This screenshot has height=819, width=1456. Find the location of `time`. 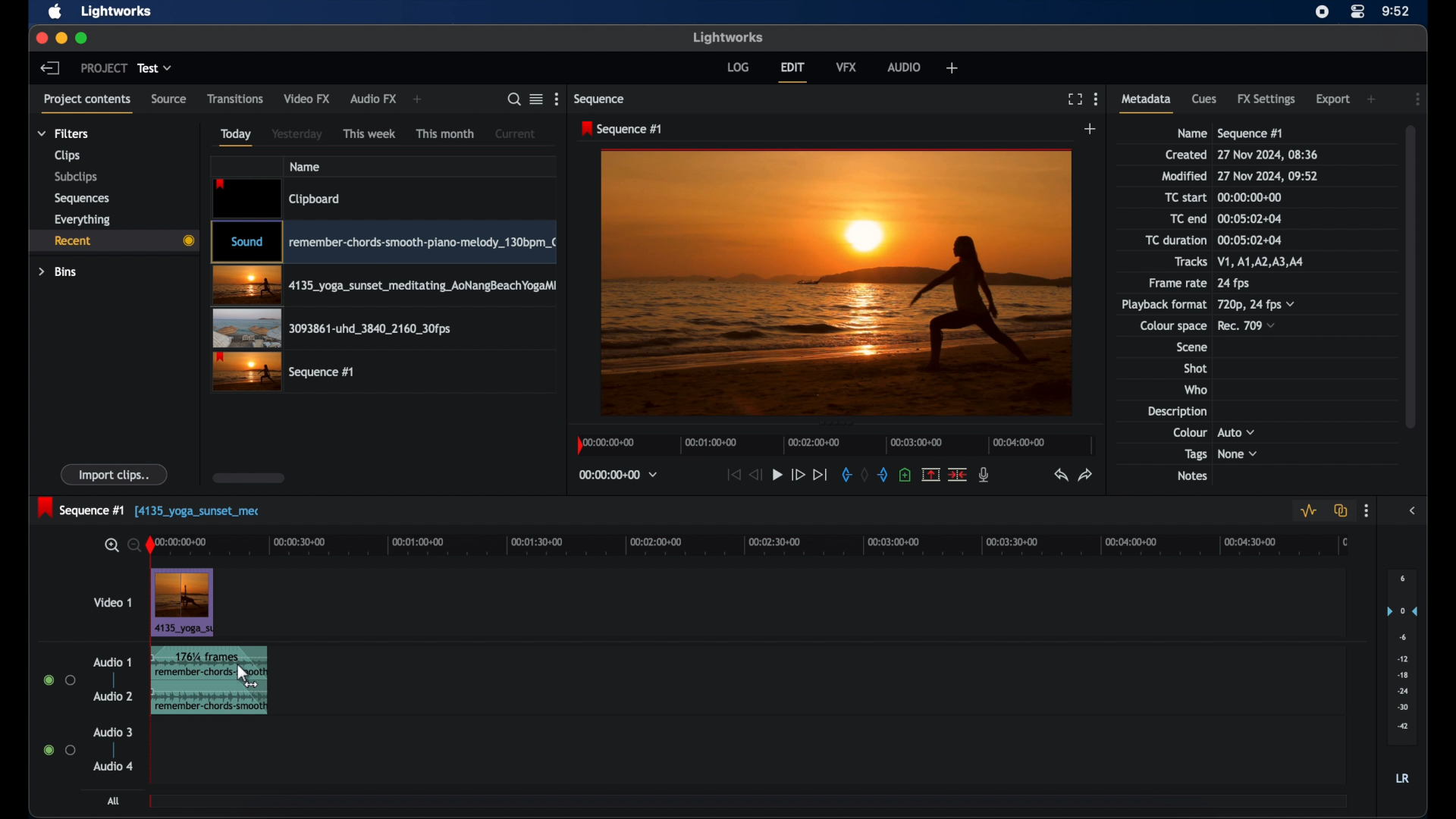

time is located at coordinates (1396, 10).